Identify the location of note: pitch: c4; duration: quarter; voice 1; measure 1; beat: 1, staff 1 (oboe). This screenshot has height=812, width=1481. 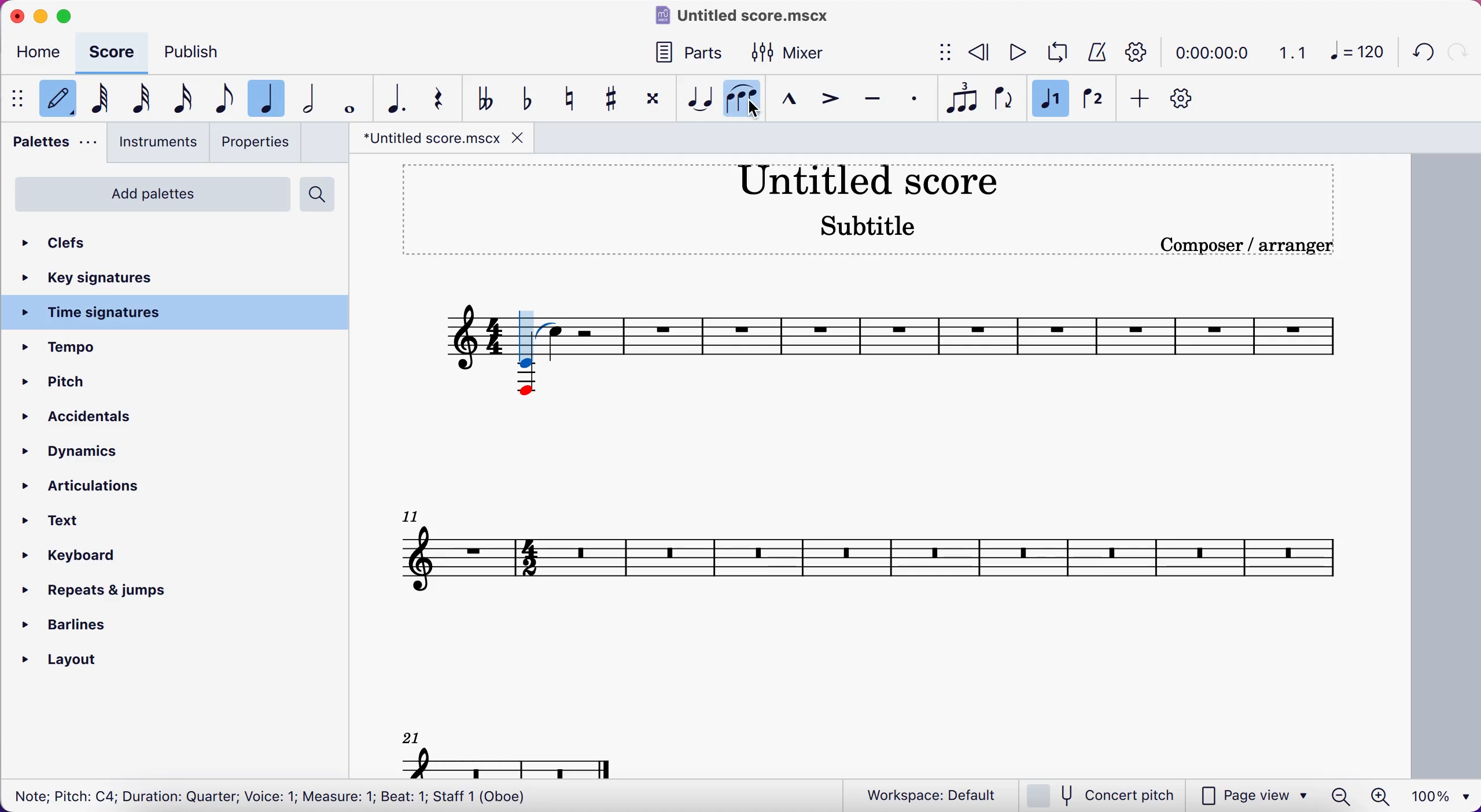
(268, 798).